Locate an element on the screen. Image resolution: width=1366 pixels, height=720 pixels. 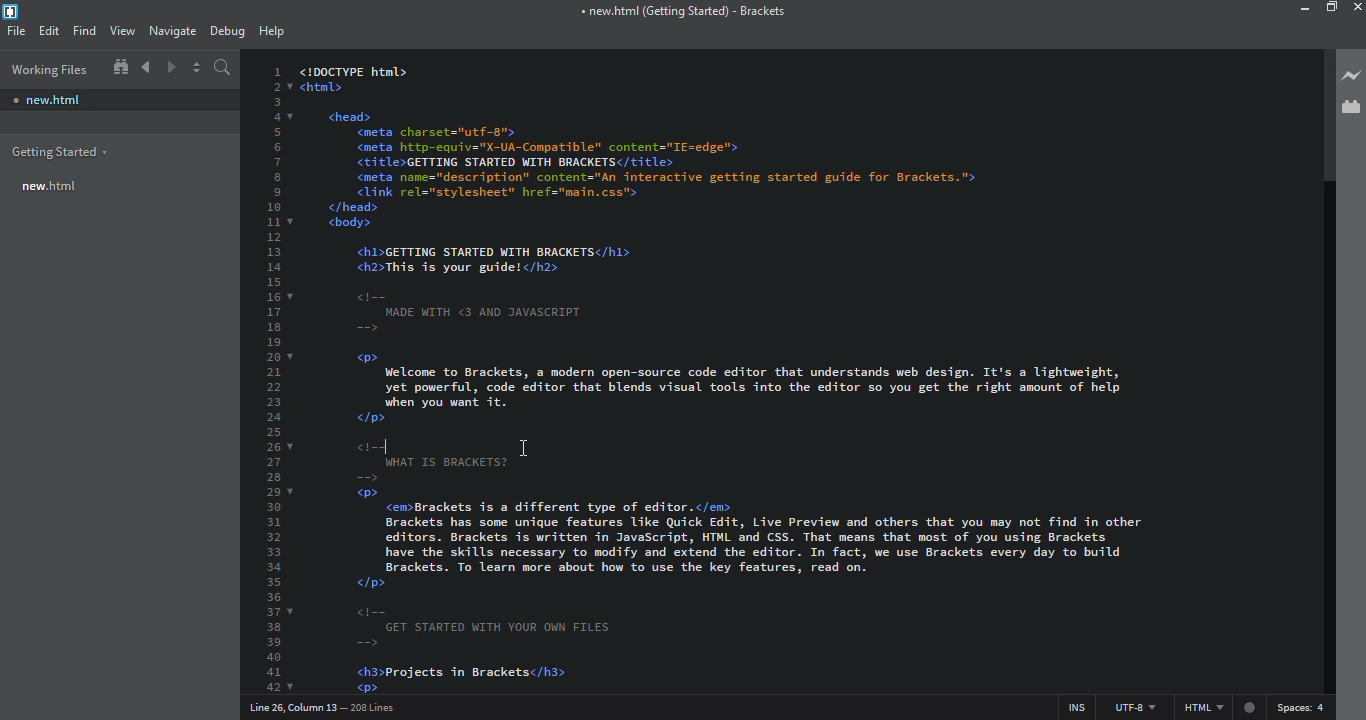
test code is located at coordinates (821, 580).